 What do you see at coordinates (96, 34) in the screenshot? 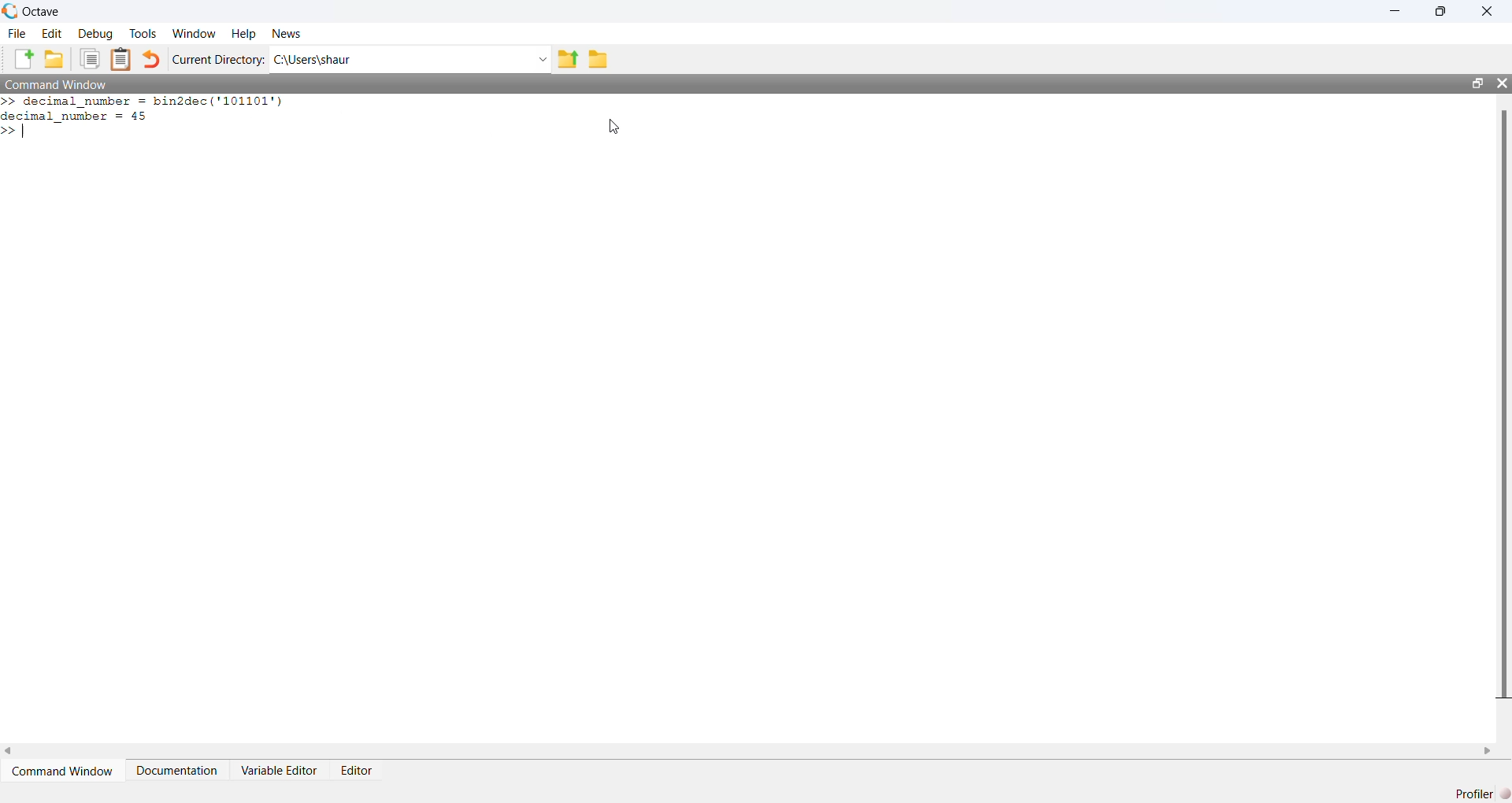
I see `debug` at bounding box center [96, 34].